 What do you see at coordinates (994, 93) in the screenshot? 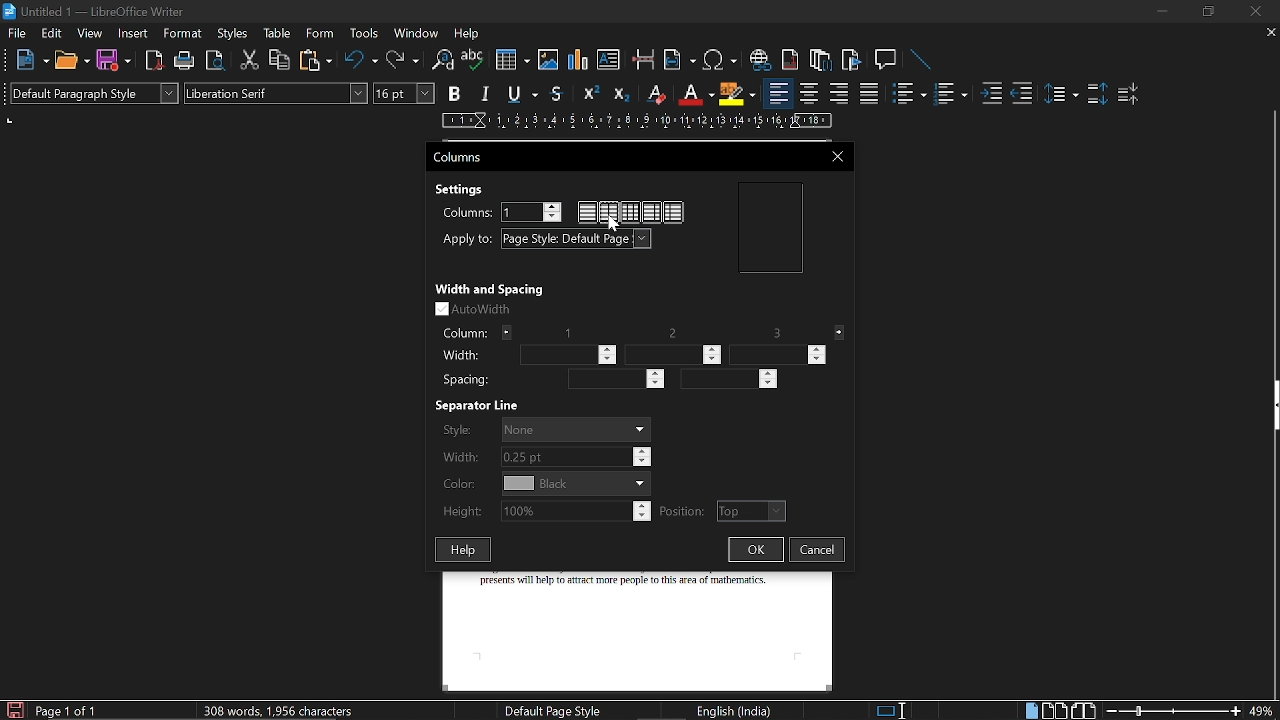
I see `Increase indent` at bounding box center [994, 93].